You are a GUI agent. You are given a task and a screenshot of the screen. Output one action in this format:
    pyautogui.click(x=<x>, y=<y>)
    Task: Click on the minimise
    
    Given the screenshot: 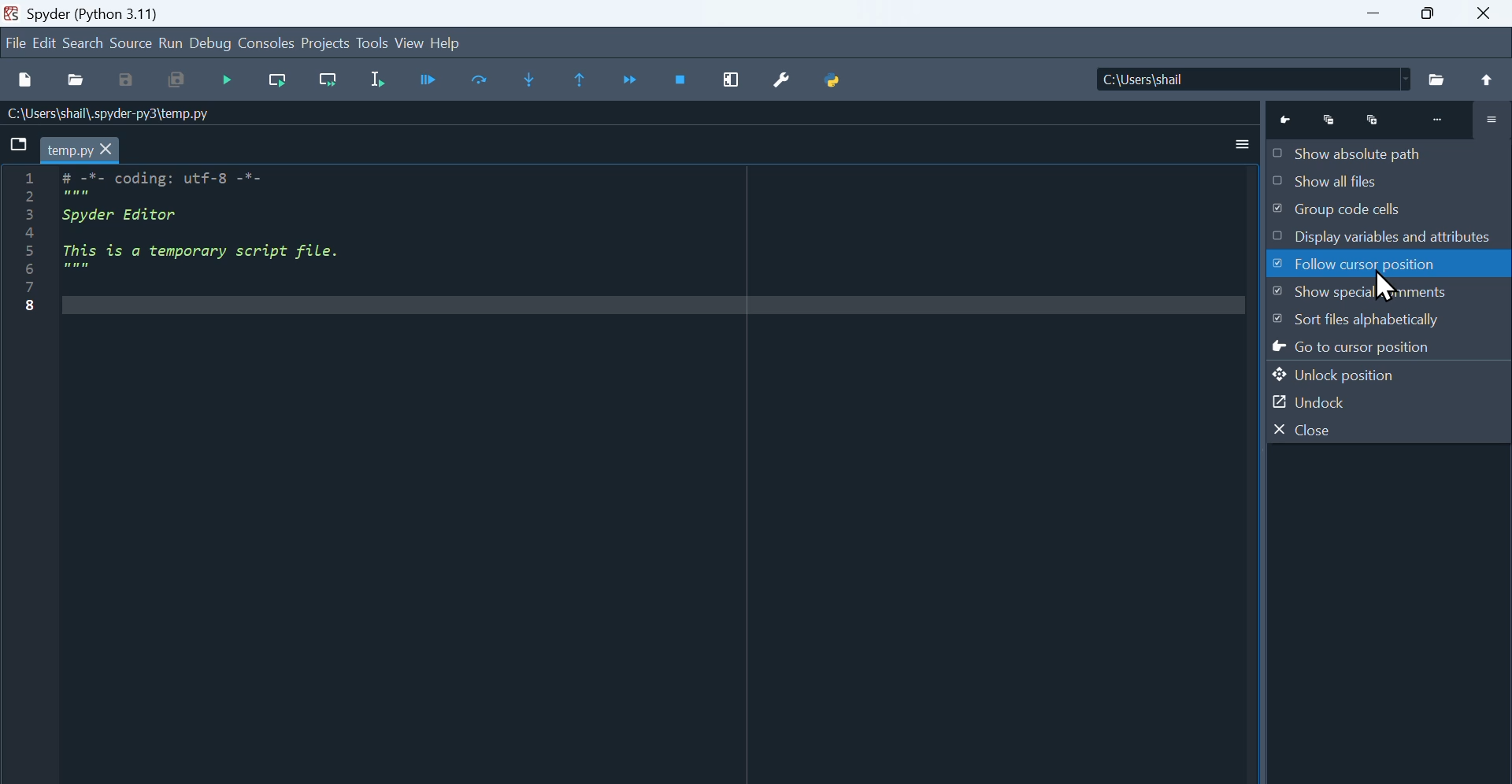 What is the action you would take?
    pyautogui.click(x=1373, y=14)
    